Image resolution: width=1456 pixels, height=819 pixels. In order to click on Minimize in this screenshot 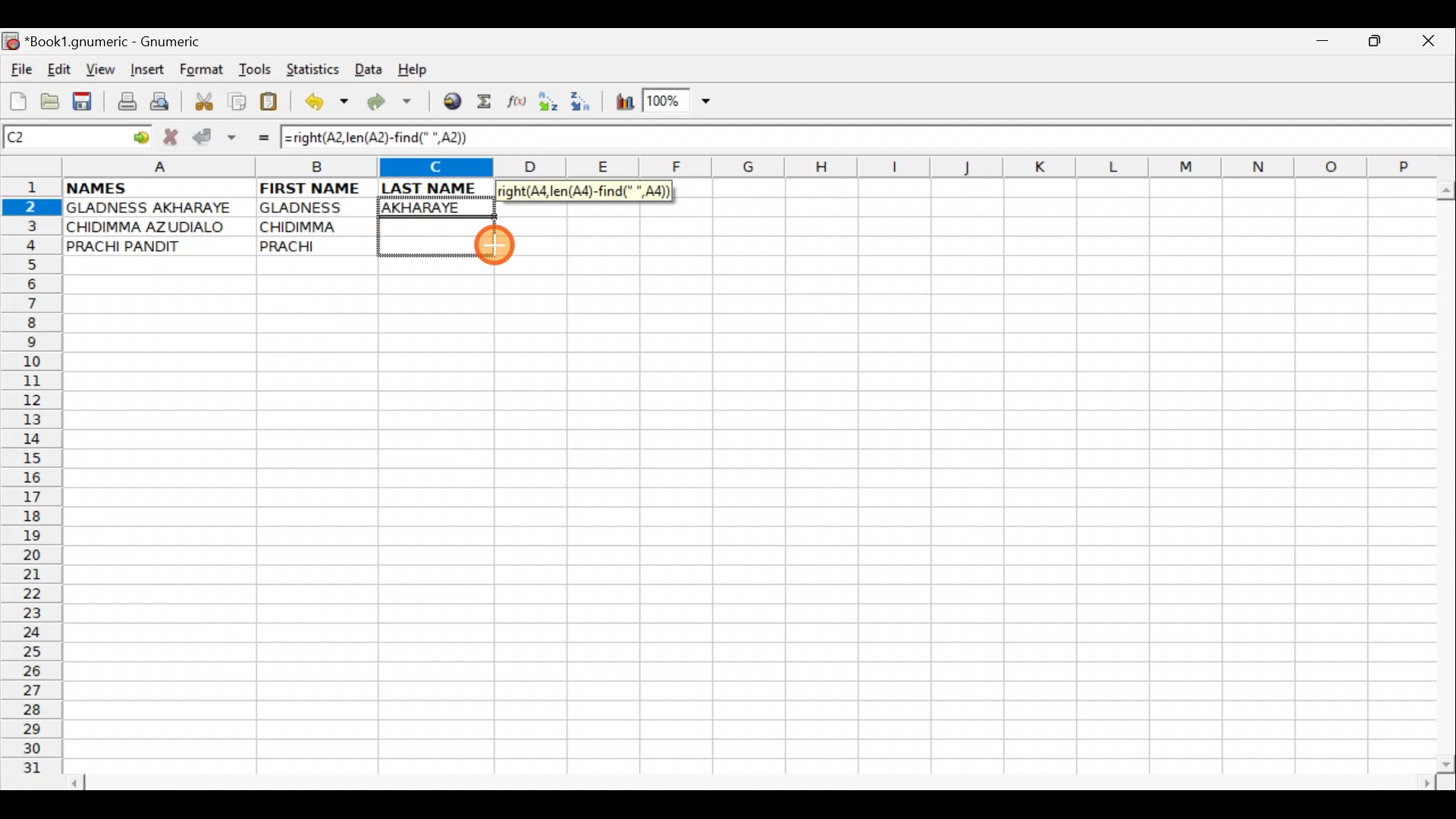, I will do `click(1319, 45)`.